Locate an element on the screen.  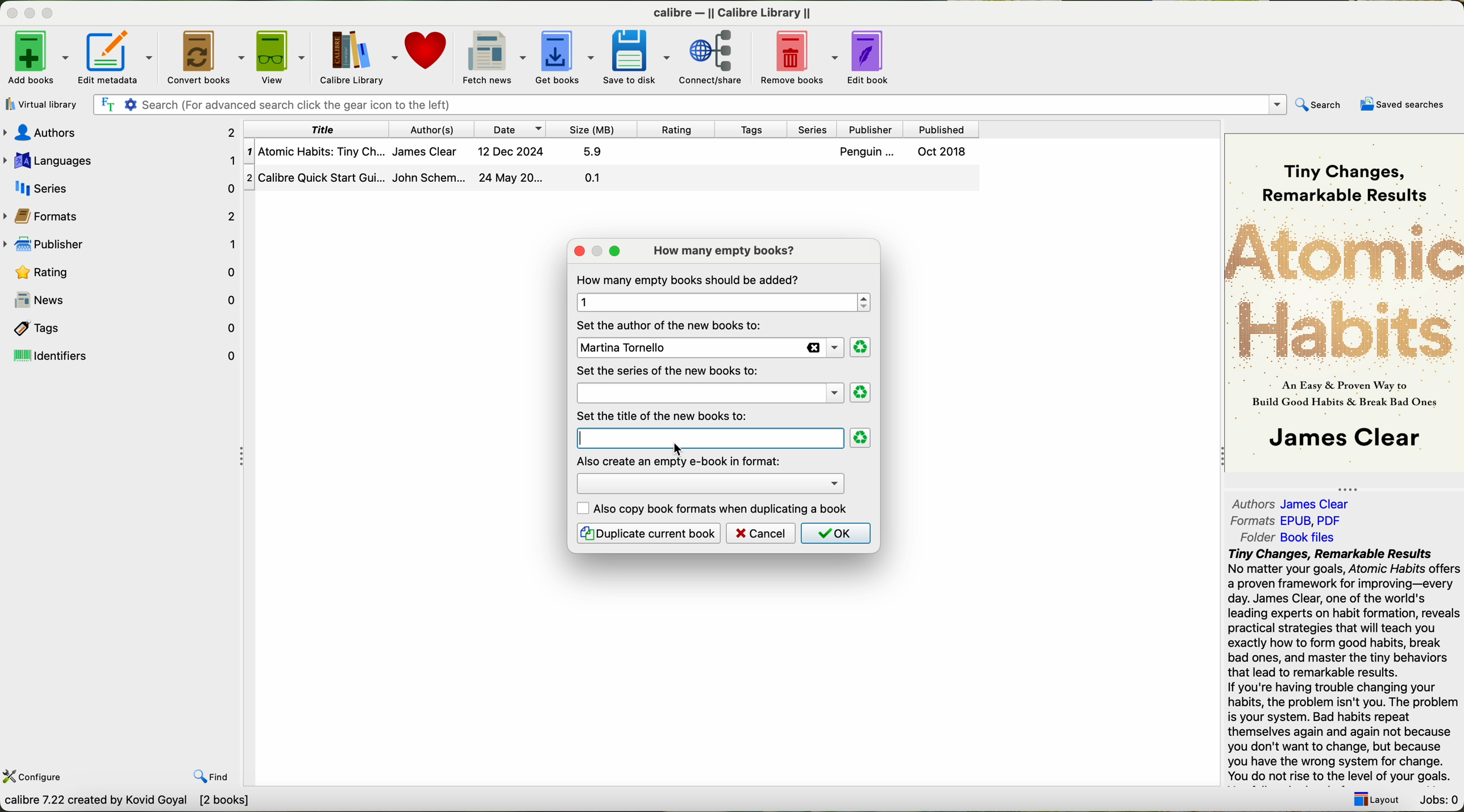
rating is located at coordinates (681, 130).